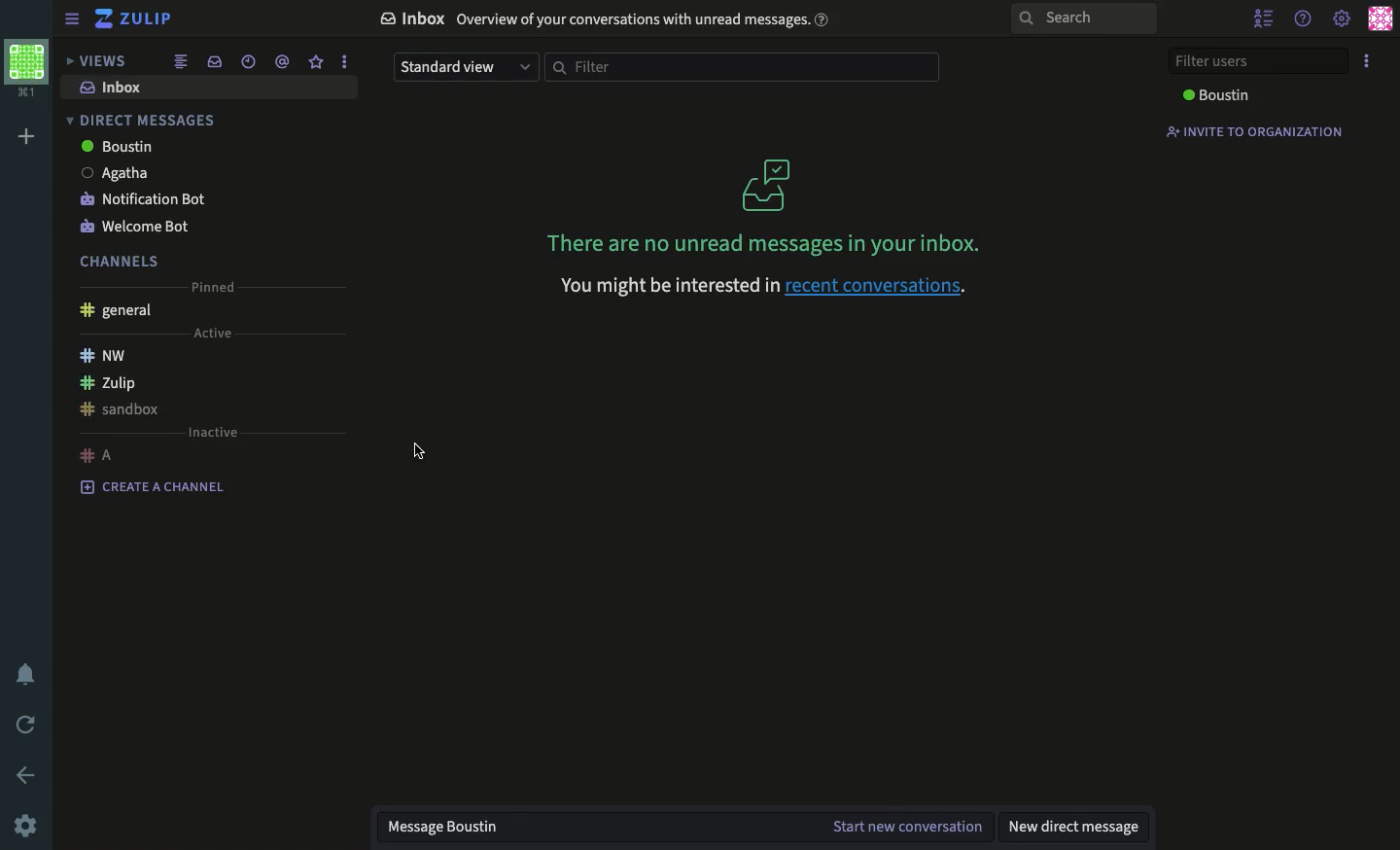 Image resolution: width=1400 pixels, height=850 pixels. What do you see at coordinates (97, 455) in the screenshot?
I see `a` at bounding box center [97, 455].